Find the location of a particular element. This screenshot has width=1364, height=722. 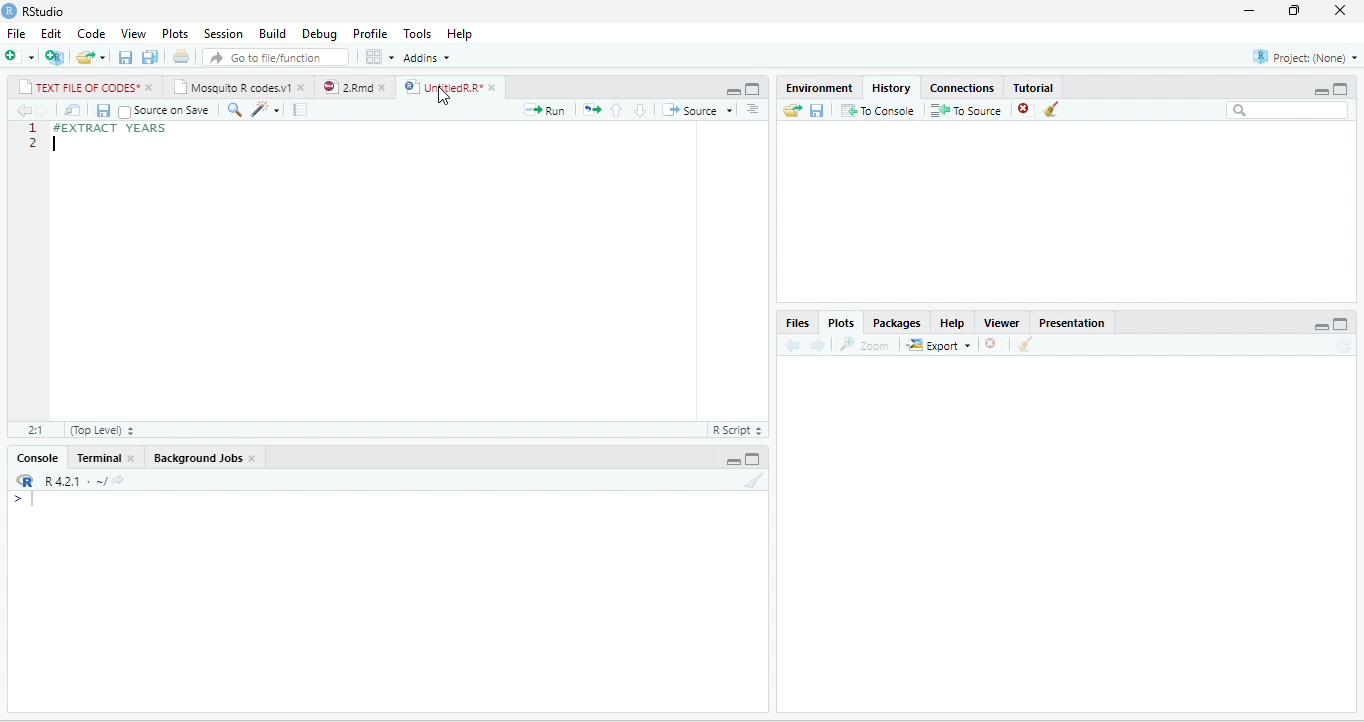

R 4.2.1 .~/ is located at coordinates (71, 481).